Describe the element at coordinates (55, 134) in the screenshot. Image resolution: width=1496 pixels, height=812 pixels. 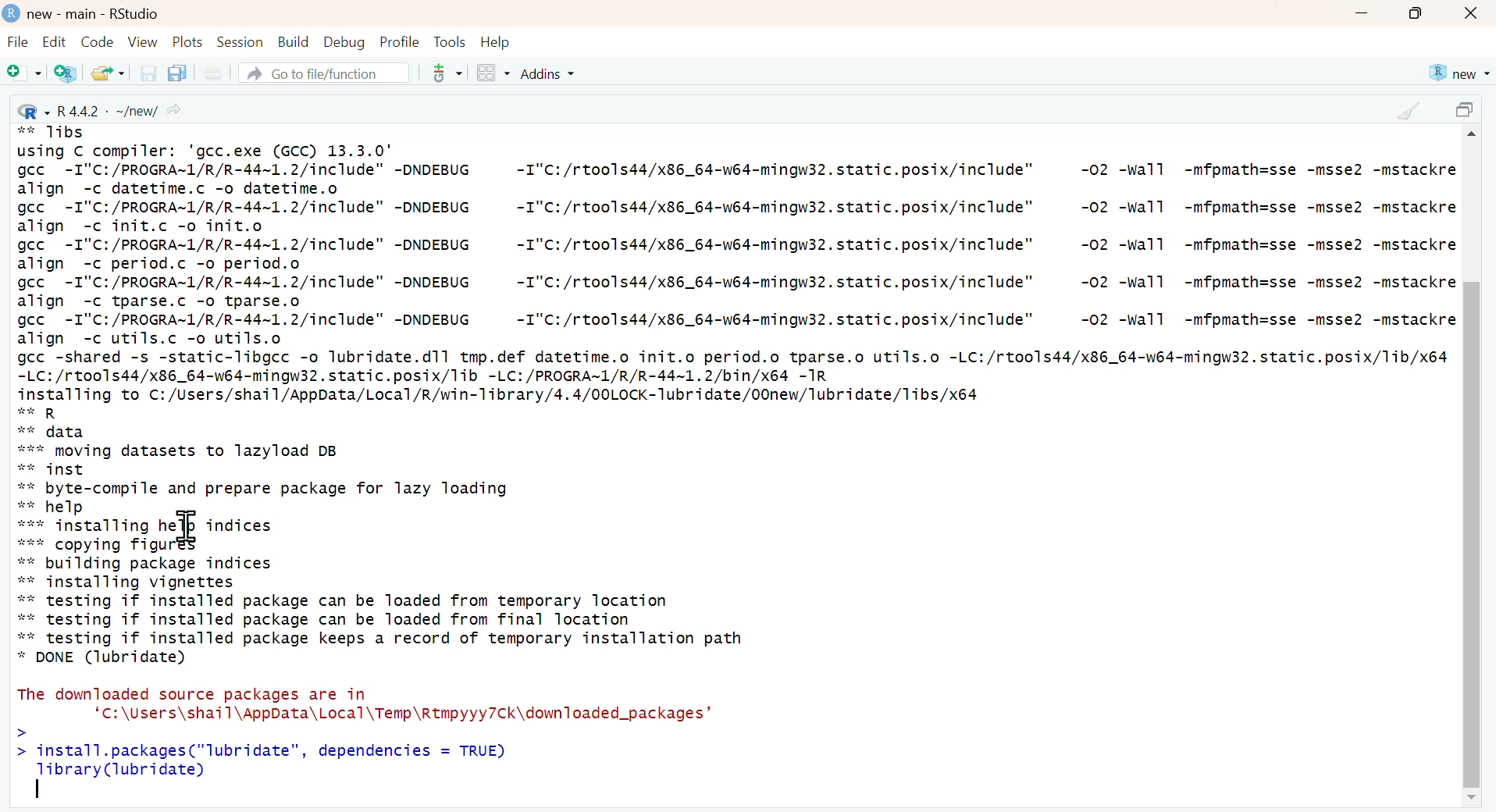
I see `** libs` at that location.